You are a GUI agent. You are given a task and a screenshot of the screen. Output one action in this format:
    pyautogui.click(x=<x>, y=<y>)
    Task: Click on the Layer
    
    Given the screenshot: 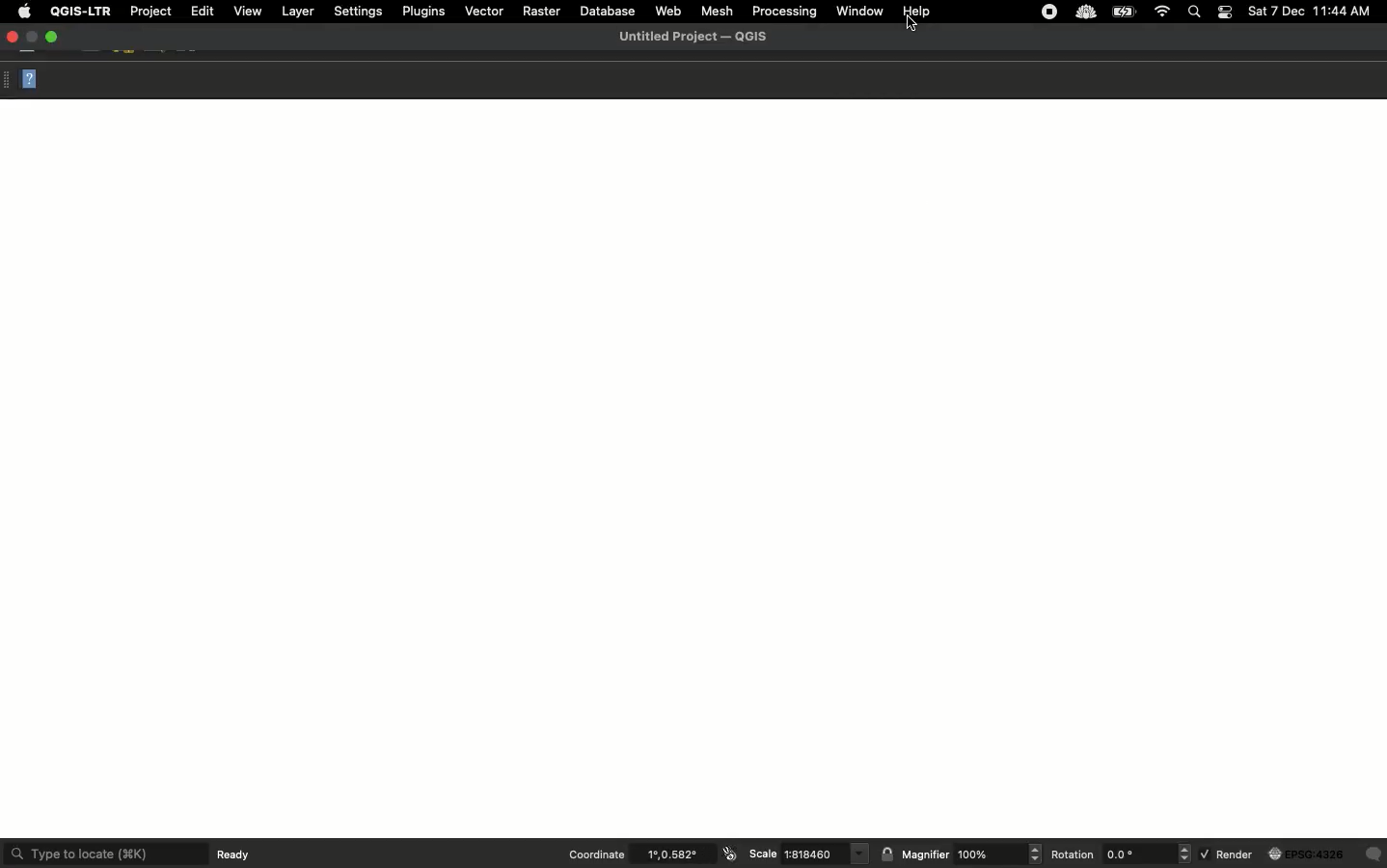 What is the action you would take?
    pyautogui.click(x=297, y=10)
    